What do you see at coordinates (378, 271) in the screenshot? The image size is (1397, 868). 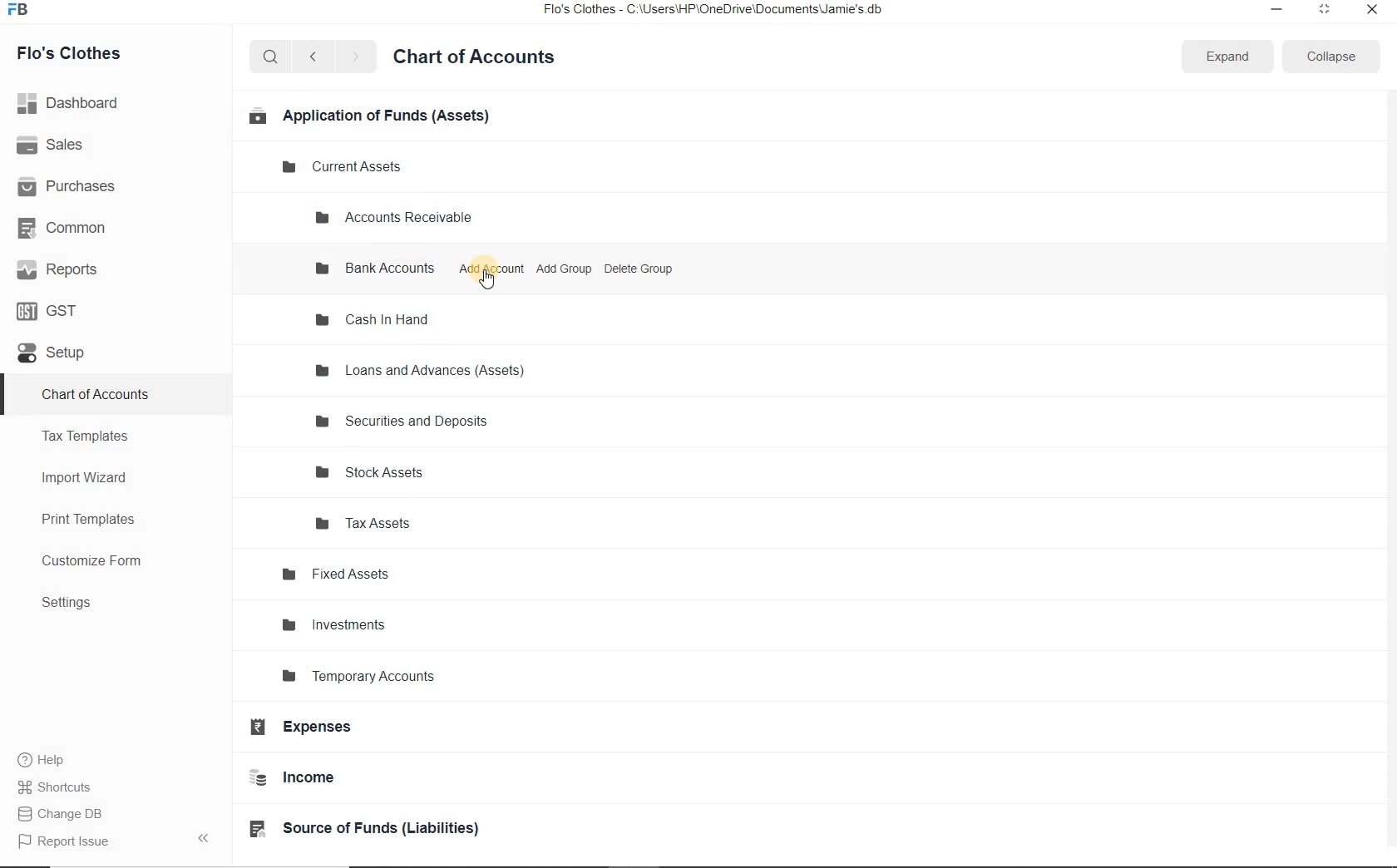 I see `Bank Accounts` at bounding box center [378, 271].